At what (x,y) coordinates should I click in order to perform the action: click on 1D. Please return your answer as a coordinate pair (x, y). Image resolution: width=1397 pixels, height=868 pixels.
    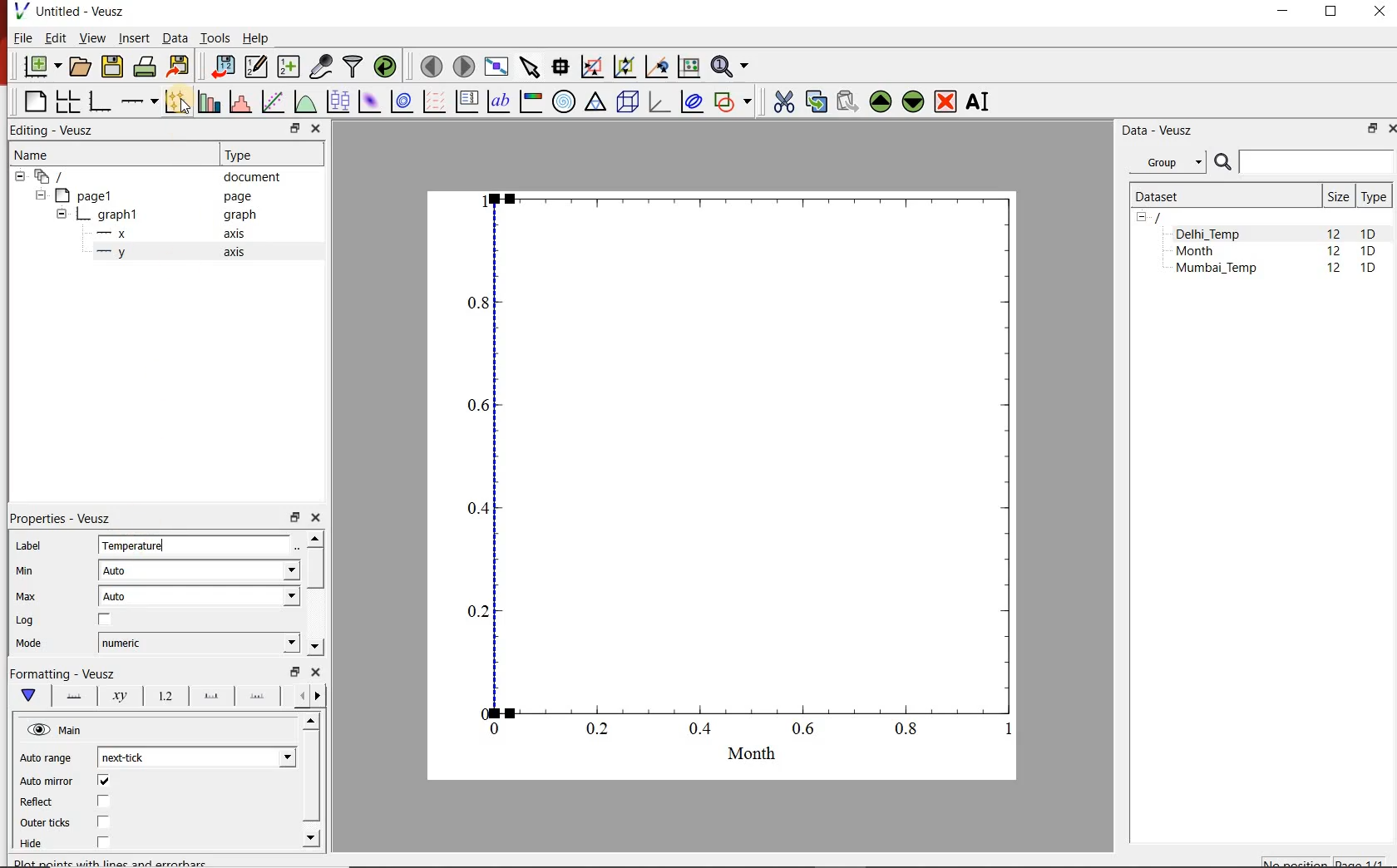
    Looking at the image, I should click on (1368, 269).